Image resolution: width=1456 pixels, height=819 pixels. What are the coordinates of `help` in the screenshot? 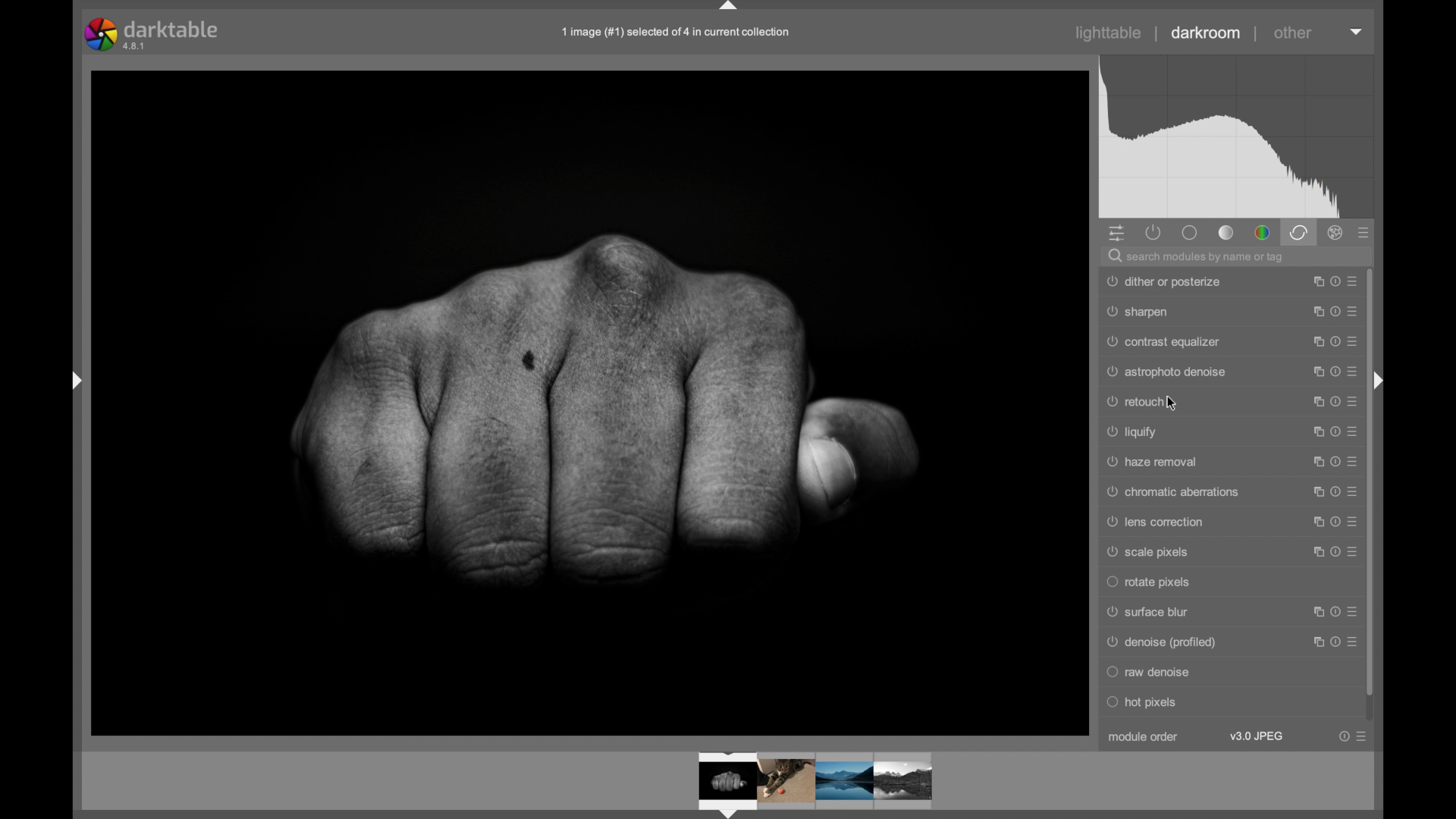 It's located at (1332, 522).